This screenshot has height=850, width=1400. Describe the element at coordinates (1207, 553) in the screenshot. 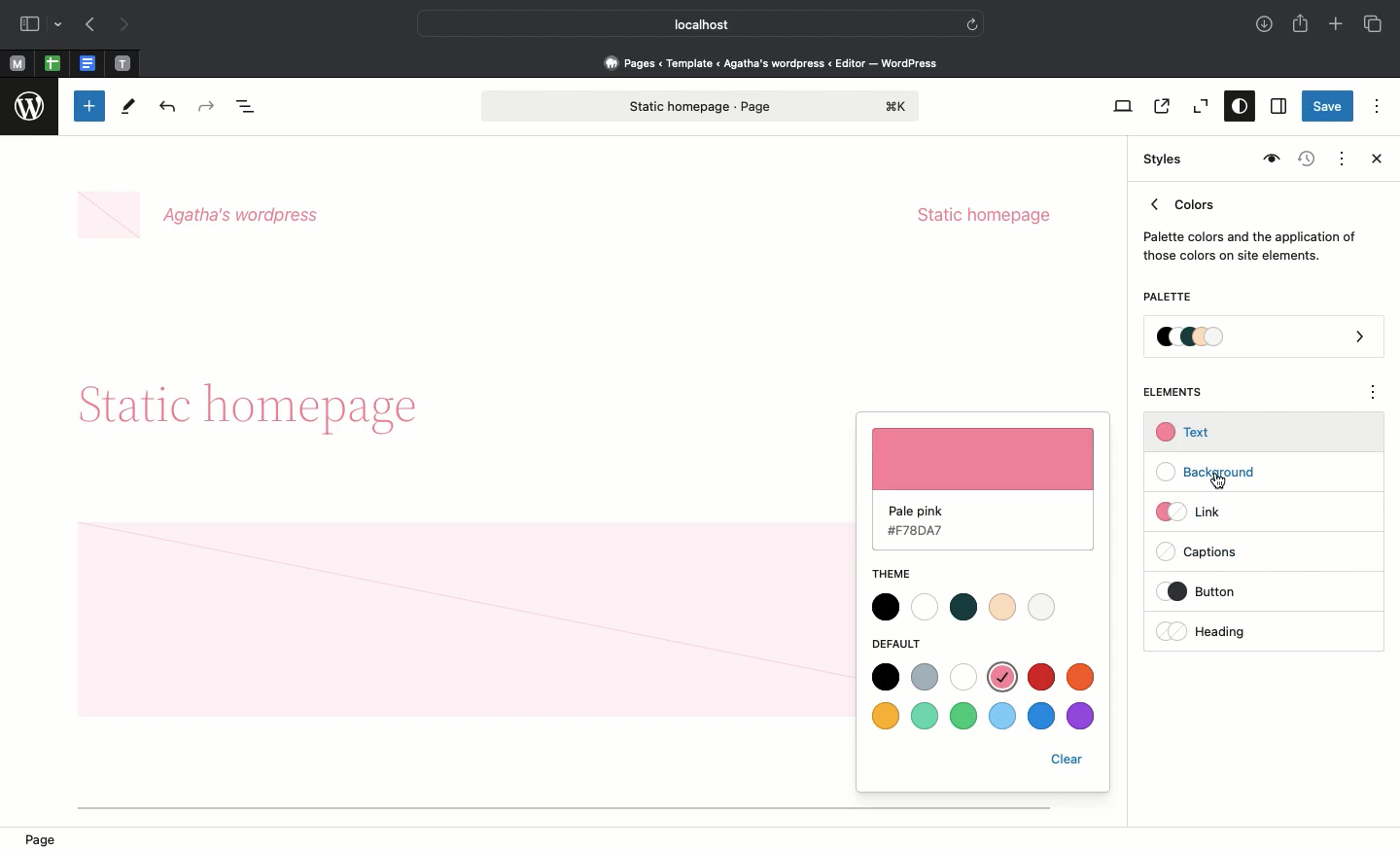

I see `Captions` at that location.